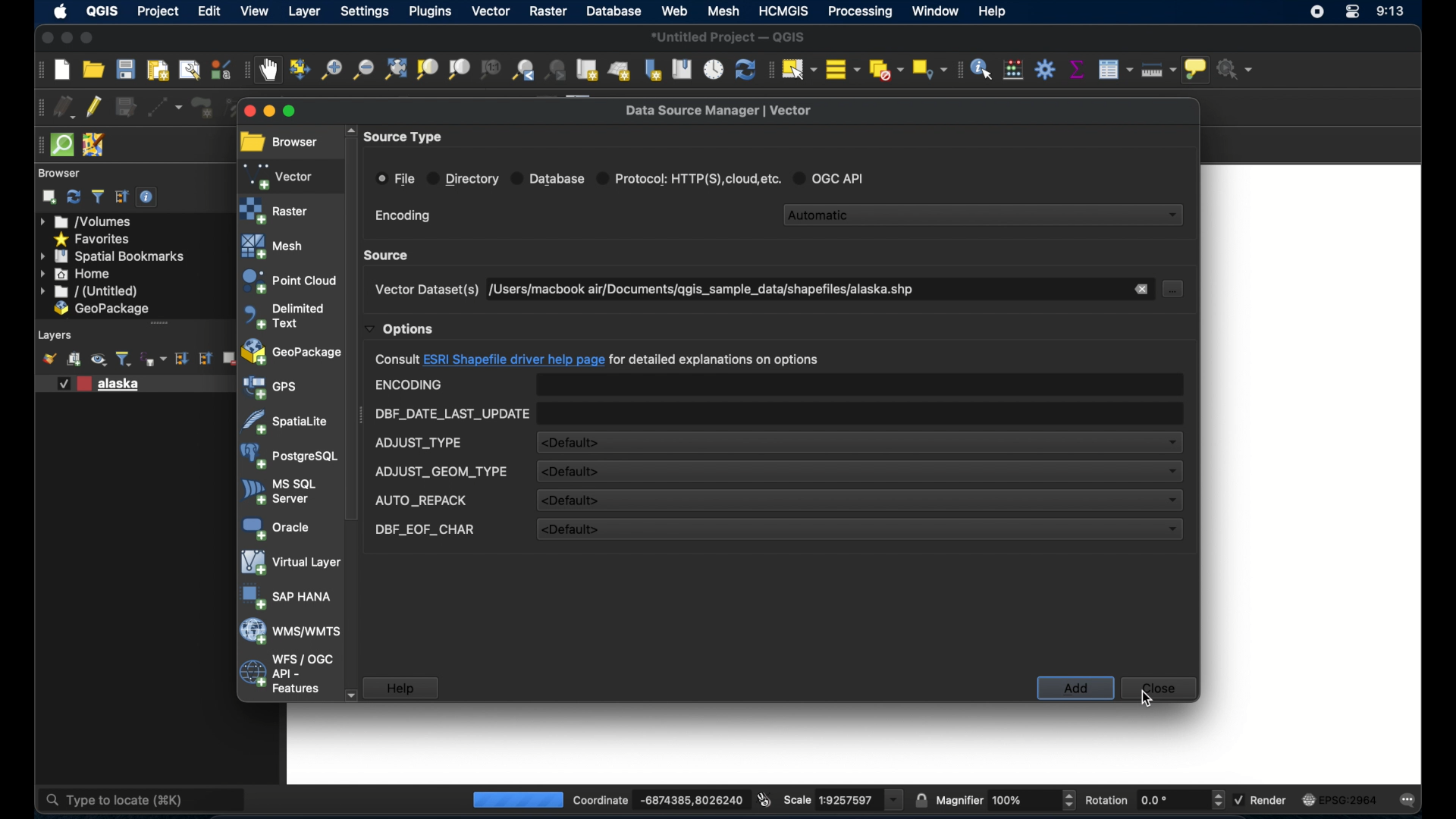  What do you see at coordinates (102, 309) in the screenshot?
I see `geopackage` at bounding box center [102, 309].